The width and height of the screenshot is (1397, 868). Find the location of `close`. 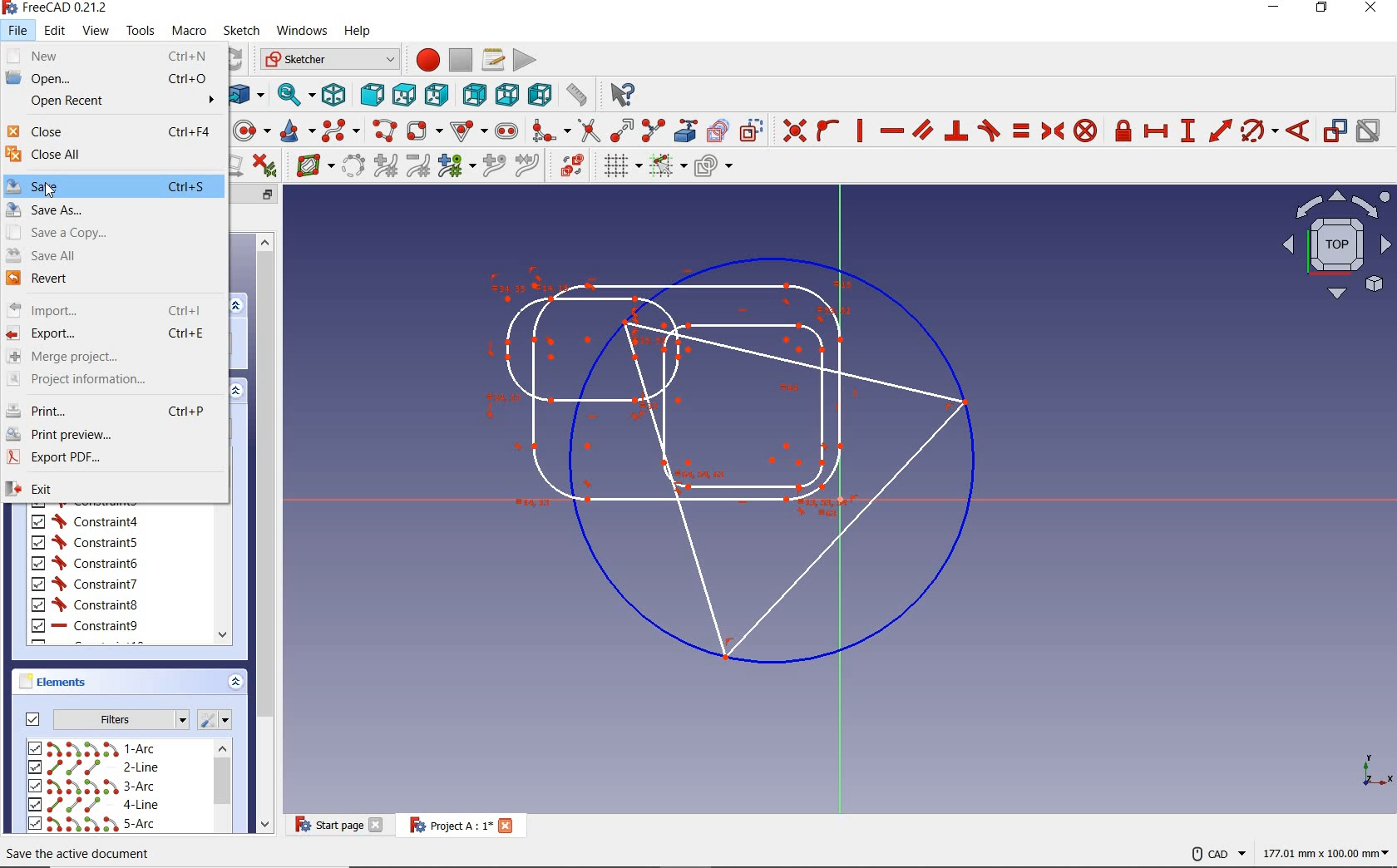

close is located at coordinates (378, 825).